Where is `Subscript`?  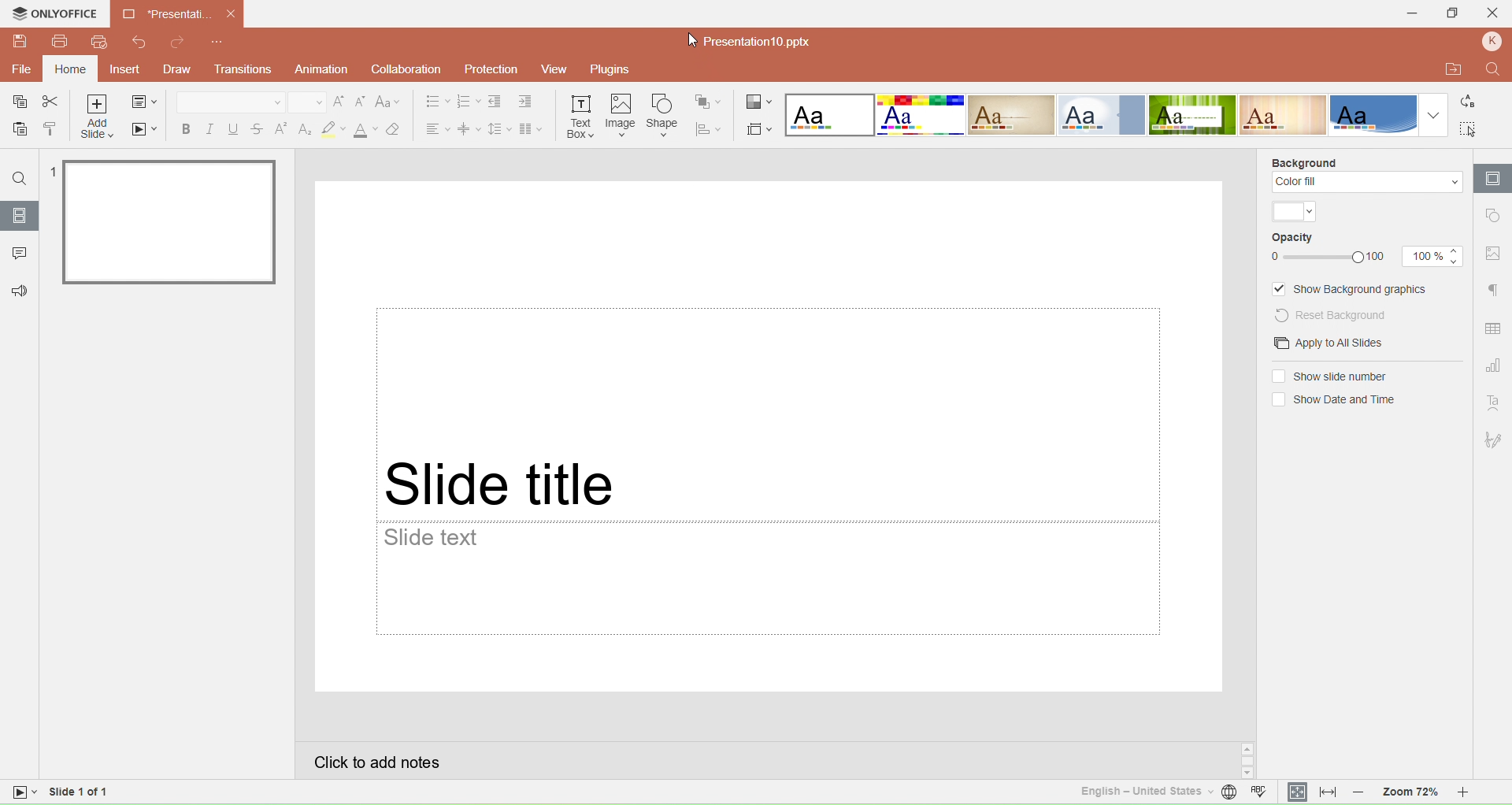
Subscript is located at coordinates (304, 128).